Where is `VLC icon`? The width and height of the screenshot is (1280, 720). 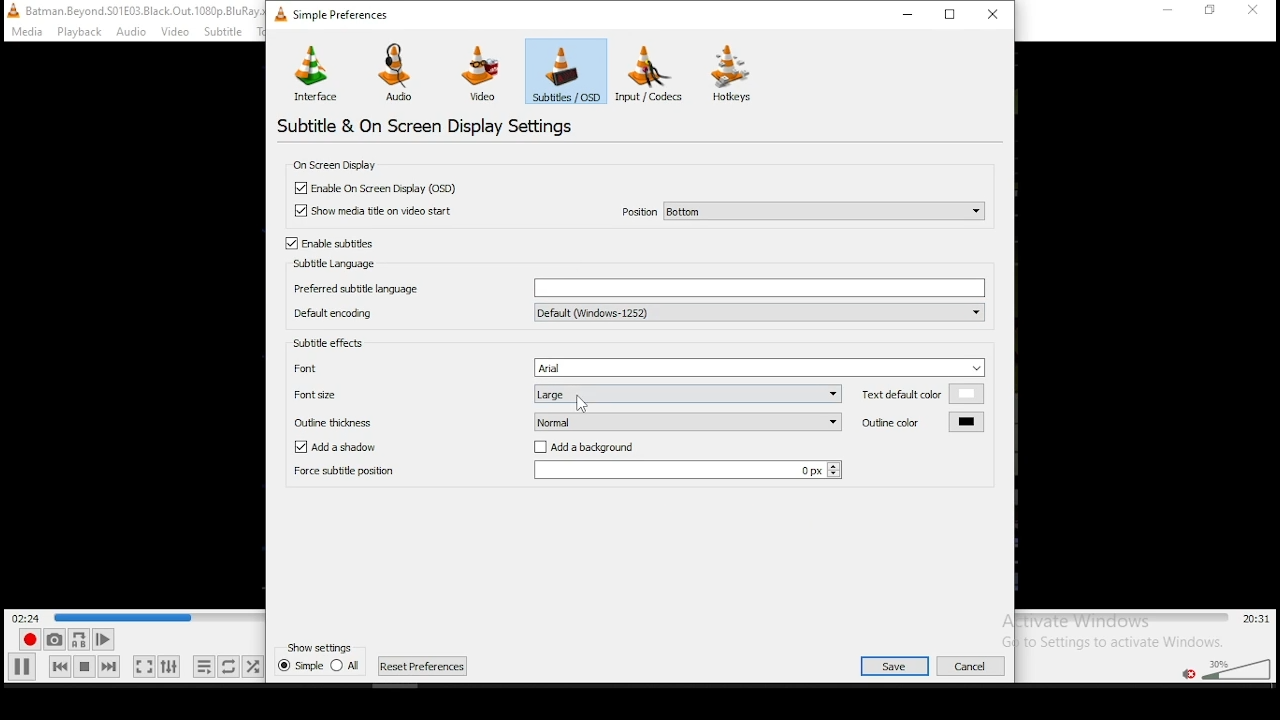 VLC icon is located at coordinates (12, 10).